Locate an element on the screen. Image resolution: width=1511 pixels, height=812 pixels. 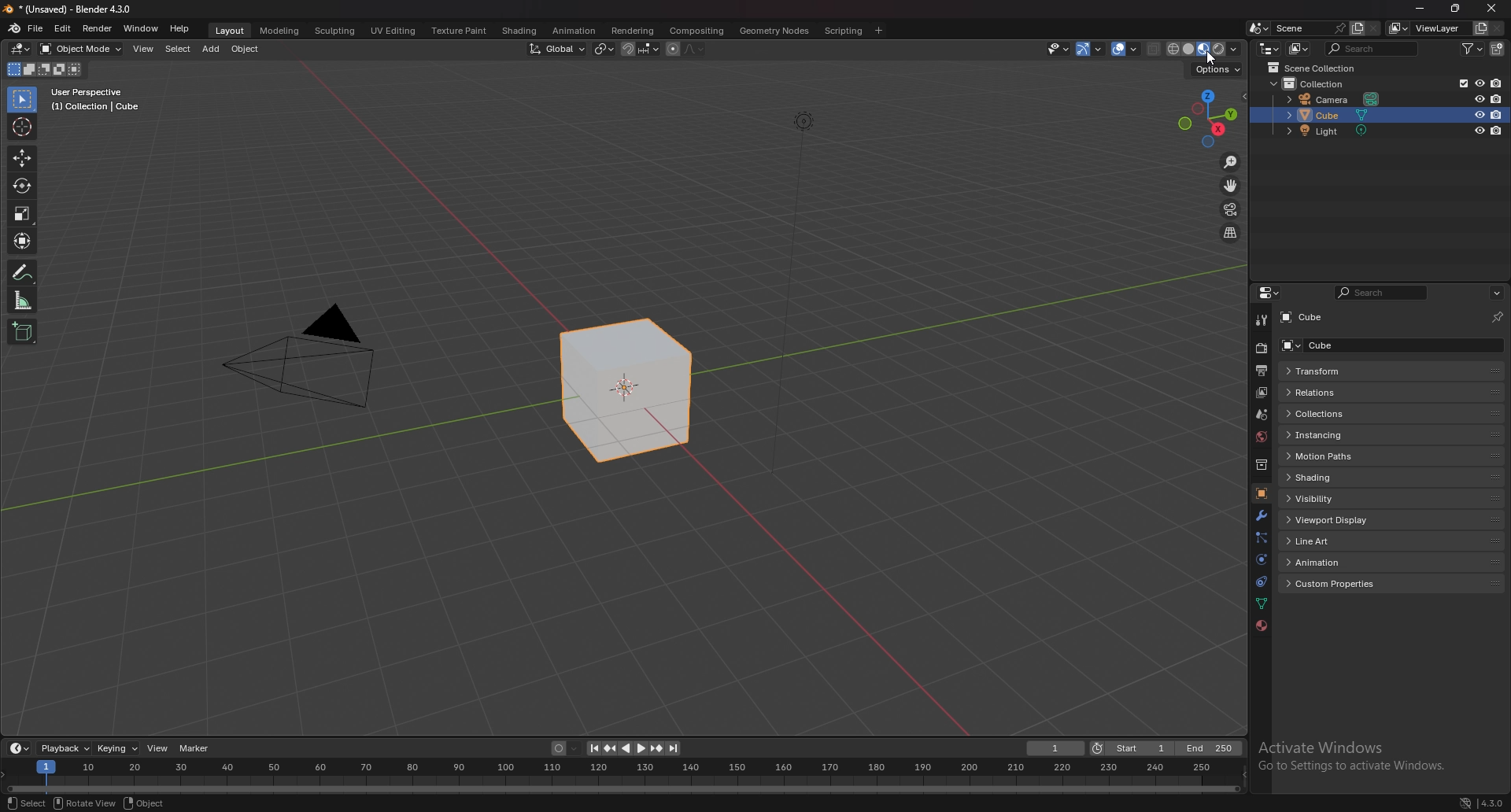
object is located at coordinates (146, 804).